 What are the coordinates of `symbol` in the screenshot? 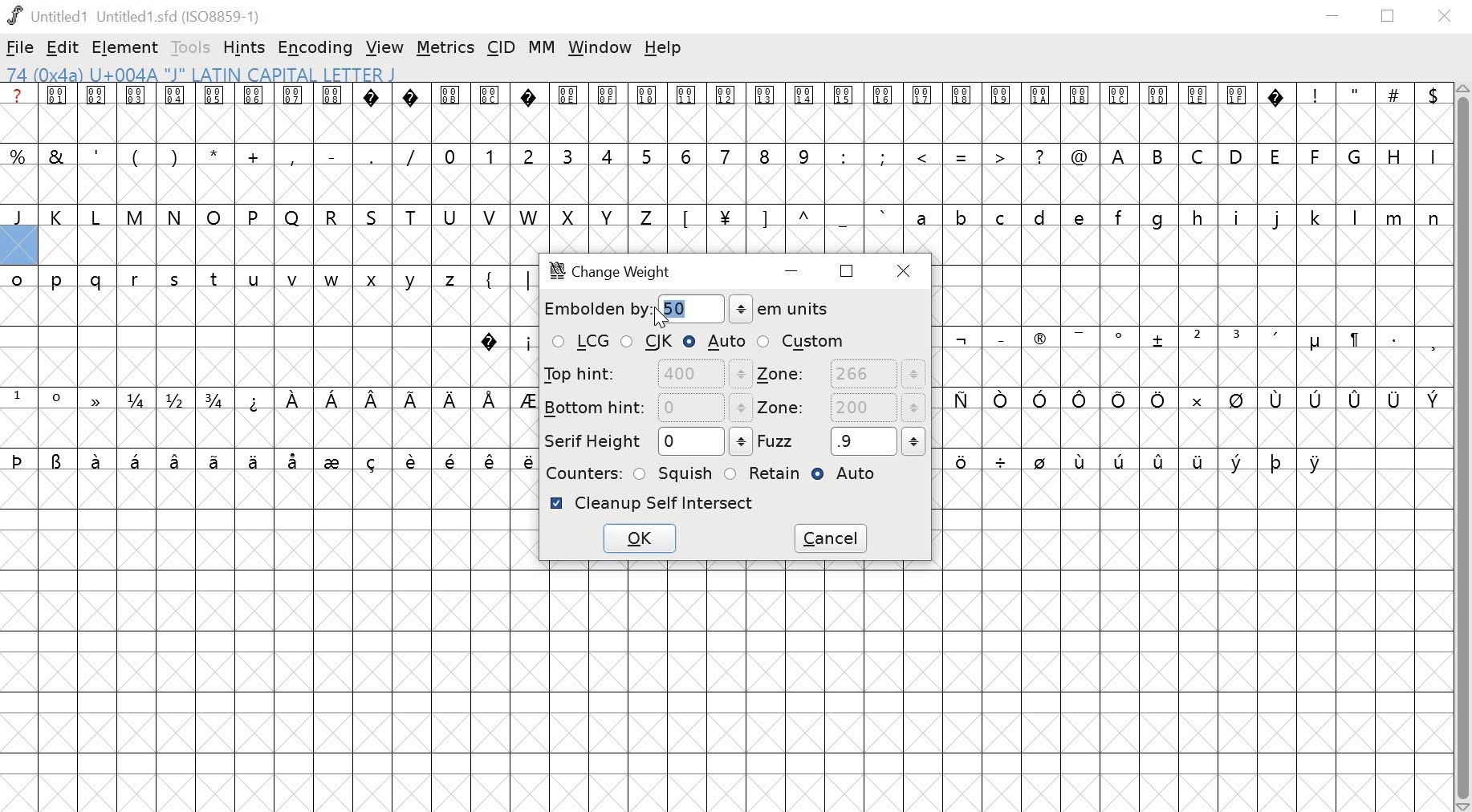 It's located at (93, 398).